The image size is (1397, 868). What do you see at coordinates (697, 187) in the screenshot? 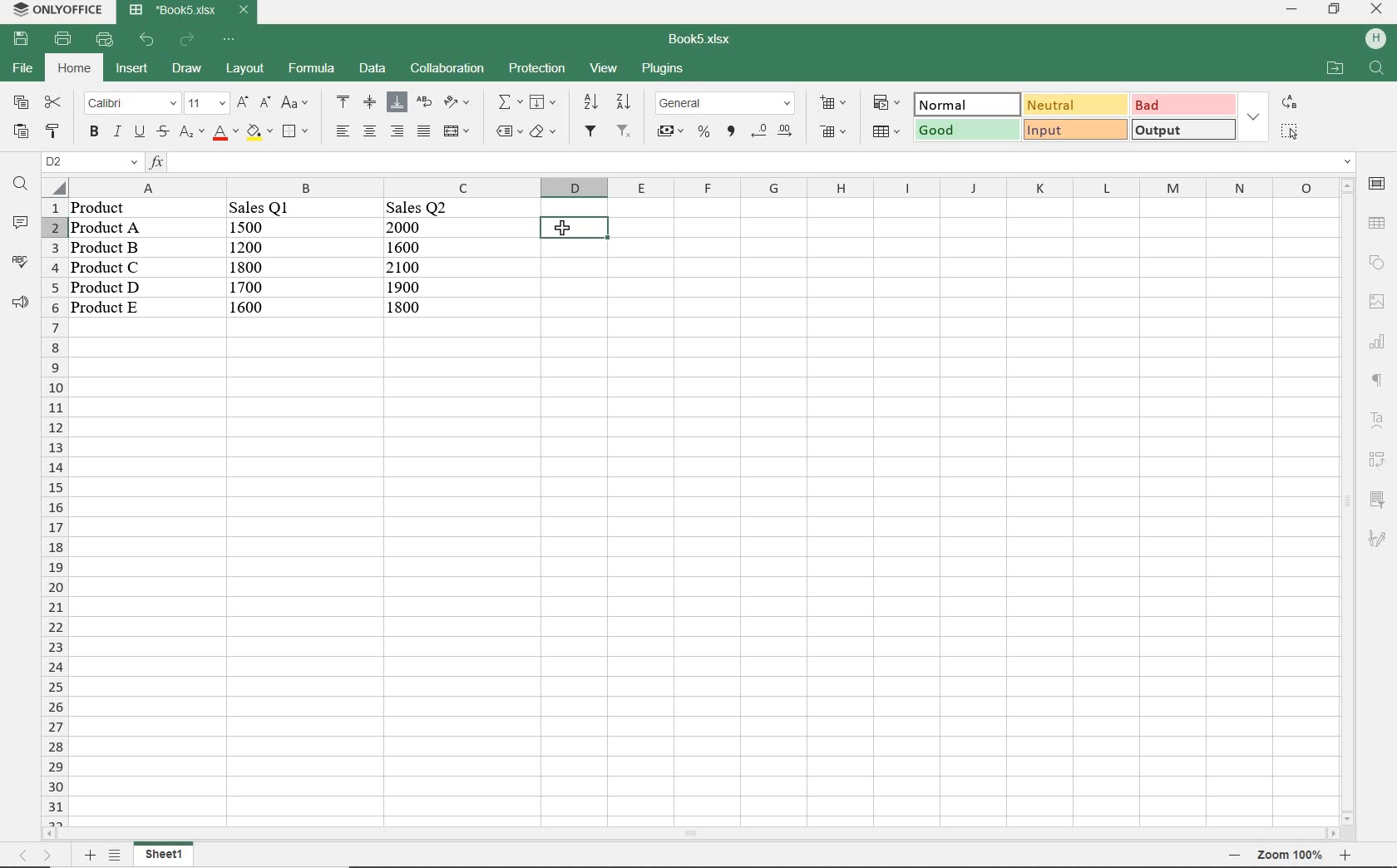
I see `columns` at bounding box center [697, 187].